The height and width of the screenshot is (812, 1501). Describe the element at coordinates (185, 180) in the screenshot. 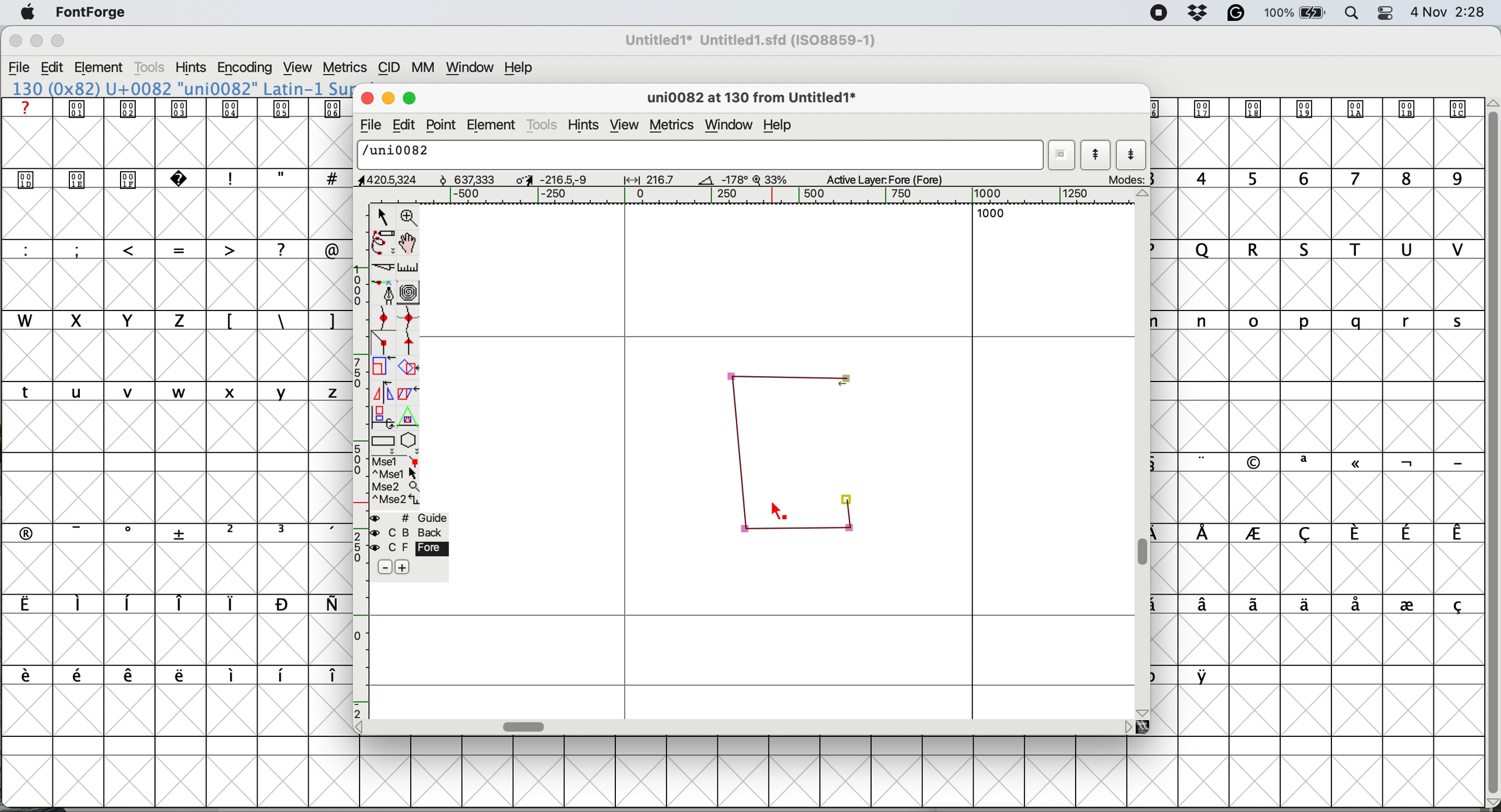

I see `symbols and special characters` at that location.